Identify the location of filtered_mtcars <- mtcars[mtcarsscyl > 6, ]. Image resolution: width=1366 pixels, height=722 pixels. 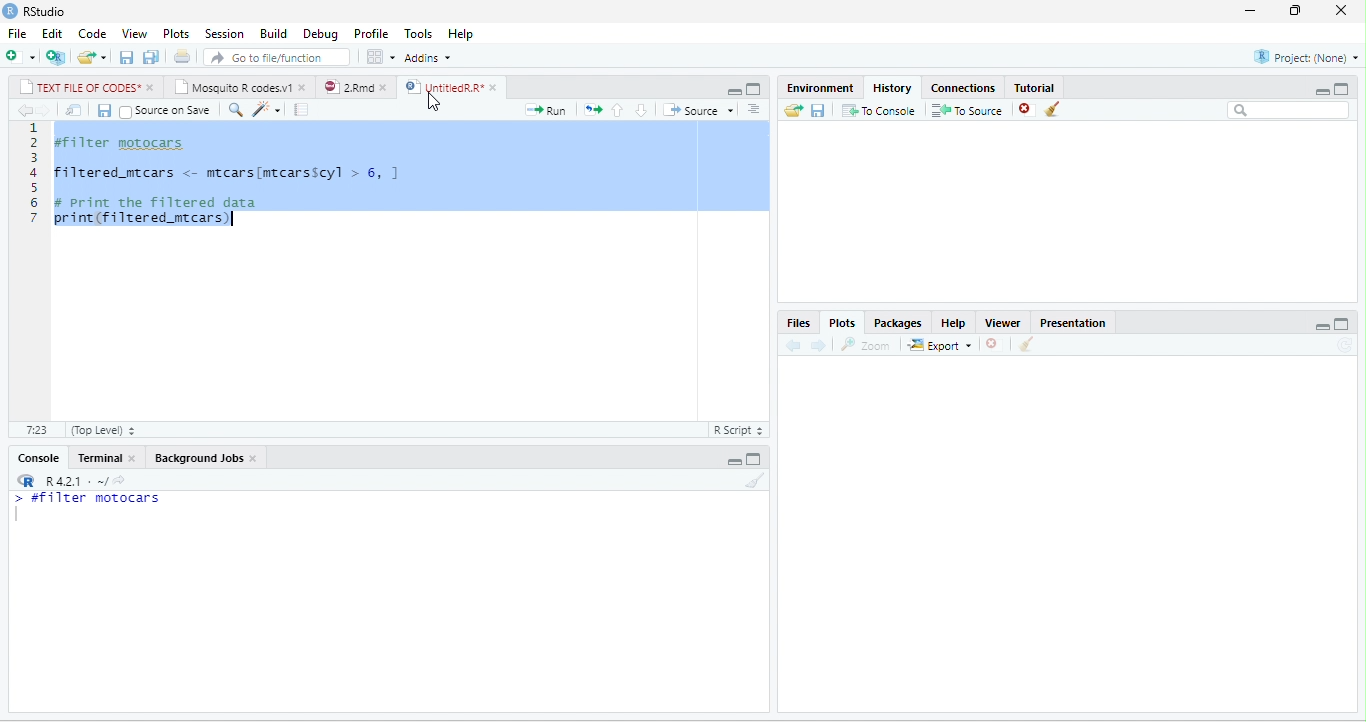
(227, 173).